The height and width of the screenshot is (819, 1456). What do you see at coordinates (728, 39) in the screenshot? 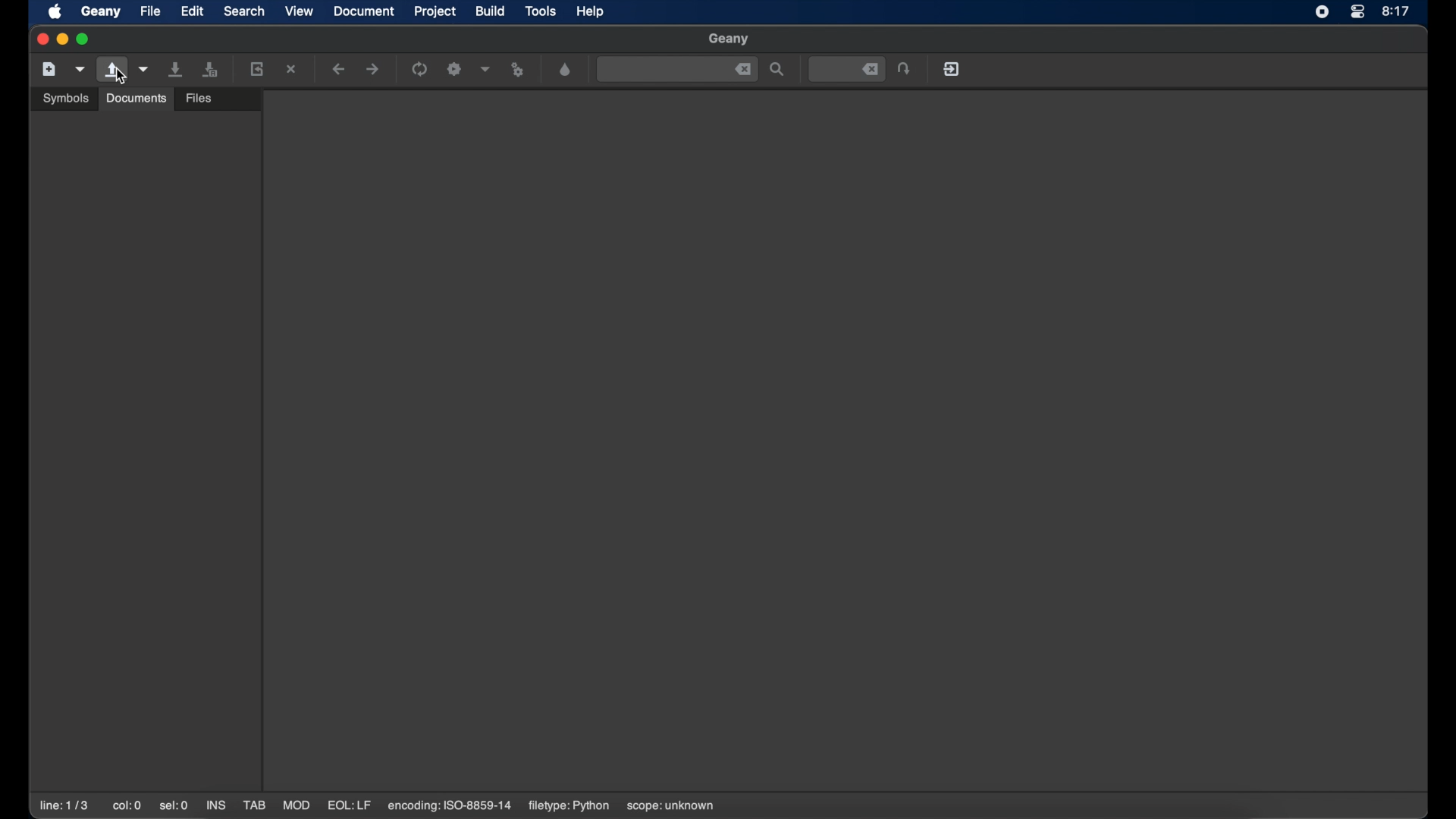
I see `geany` at bounding box center [728, 39].